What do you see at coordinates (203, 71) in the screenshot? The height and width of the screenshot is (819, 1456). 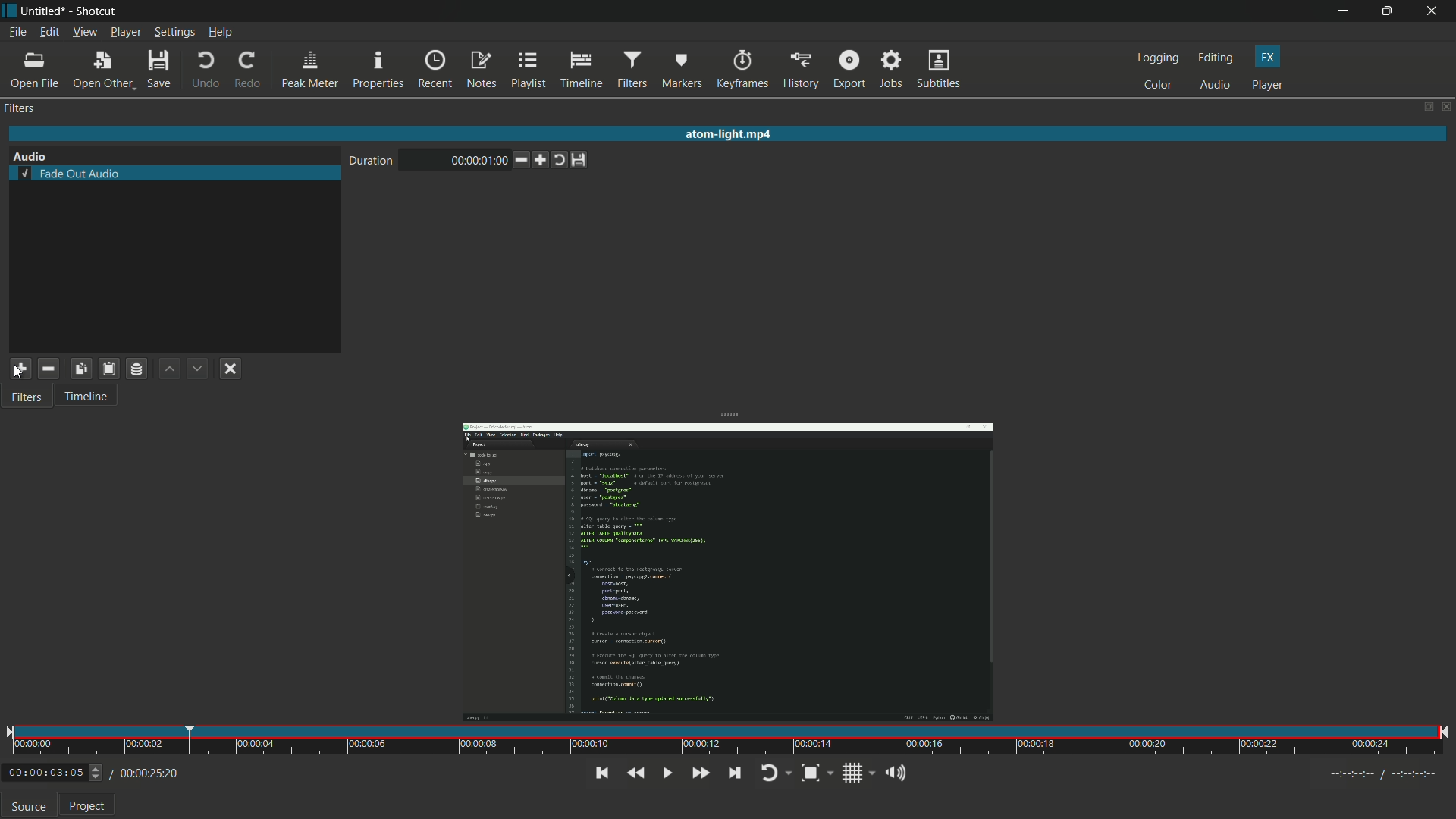 I see `undo` at bounding box center [203, 71].